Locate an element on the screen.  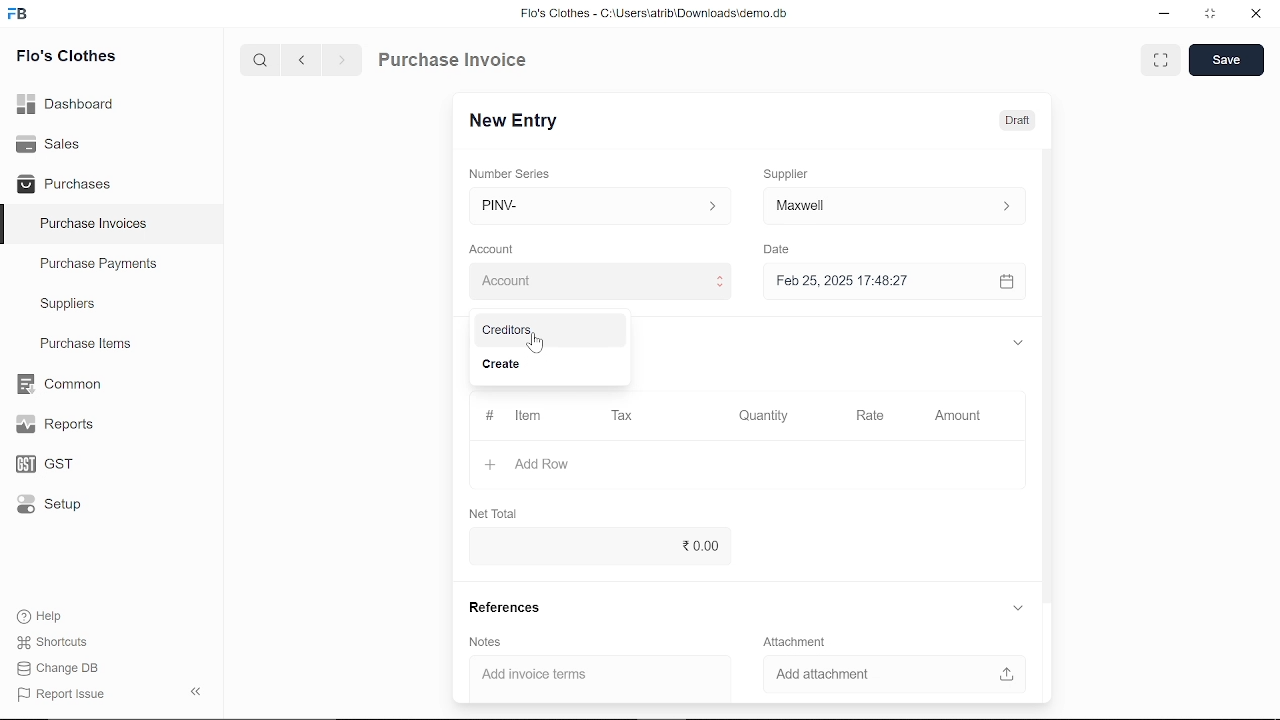
Net Total is located at coordinates (497, 513).